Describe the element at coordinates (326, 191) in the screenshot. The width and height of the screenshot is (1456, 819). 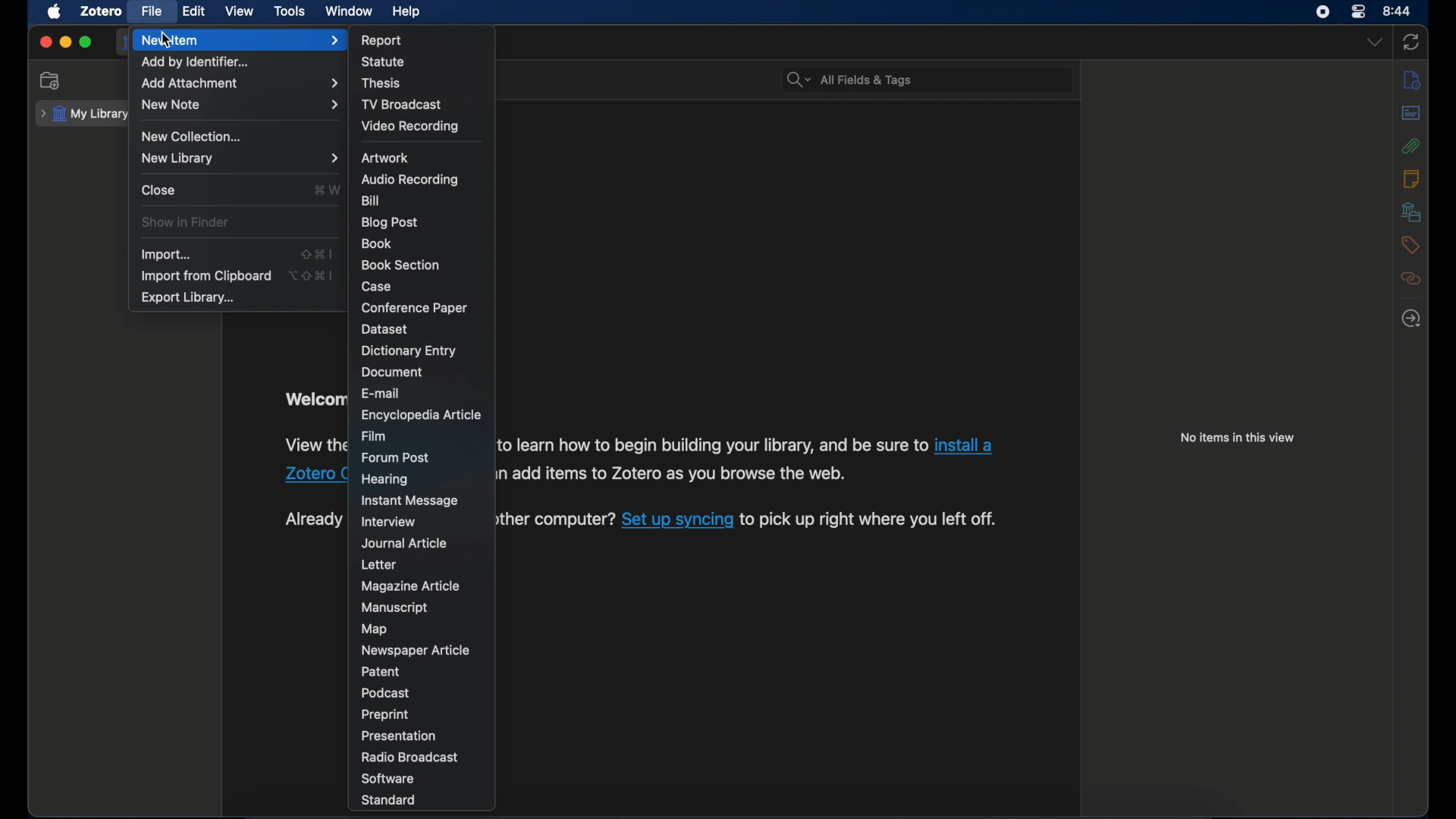
I see `shortcut` at that location.